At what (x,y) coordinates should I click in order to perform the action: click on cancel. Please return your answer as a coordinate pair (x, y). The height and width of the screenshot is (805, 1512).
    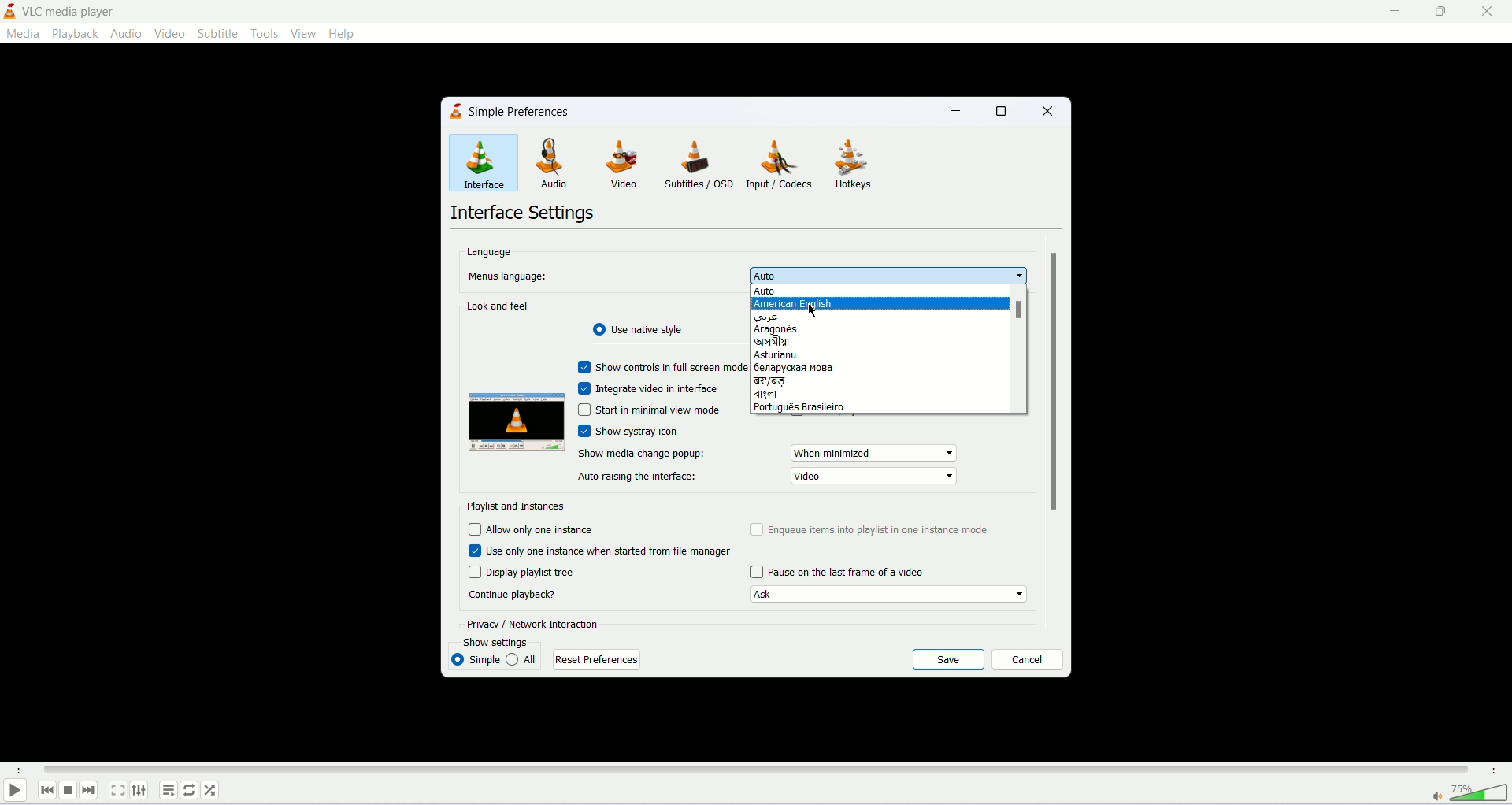
    Looking at the image, I should click on (1027, 660).